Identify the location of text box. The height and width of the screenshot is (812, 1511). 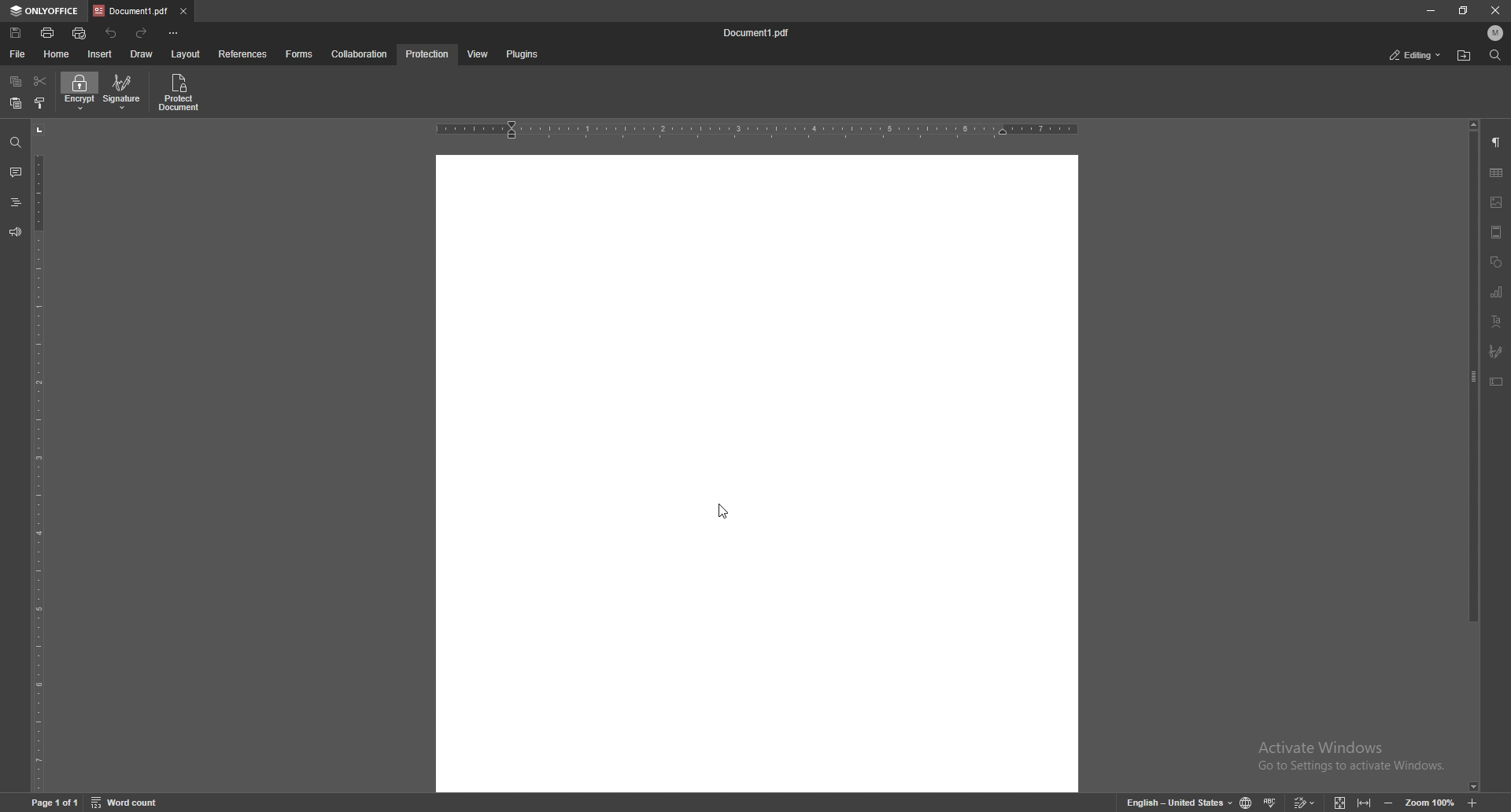
(1497, 382).